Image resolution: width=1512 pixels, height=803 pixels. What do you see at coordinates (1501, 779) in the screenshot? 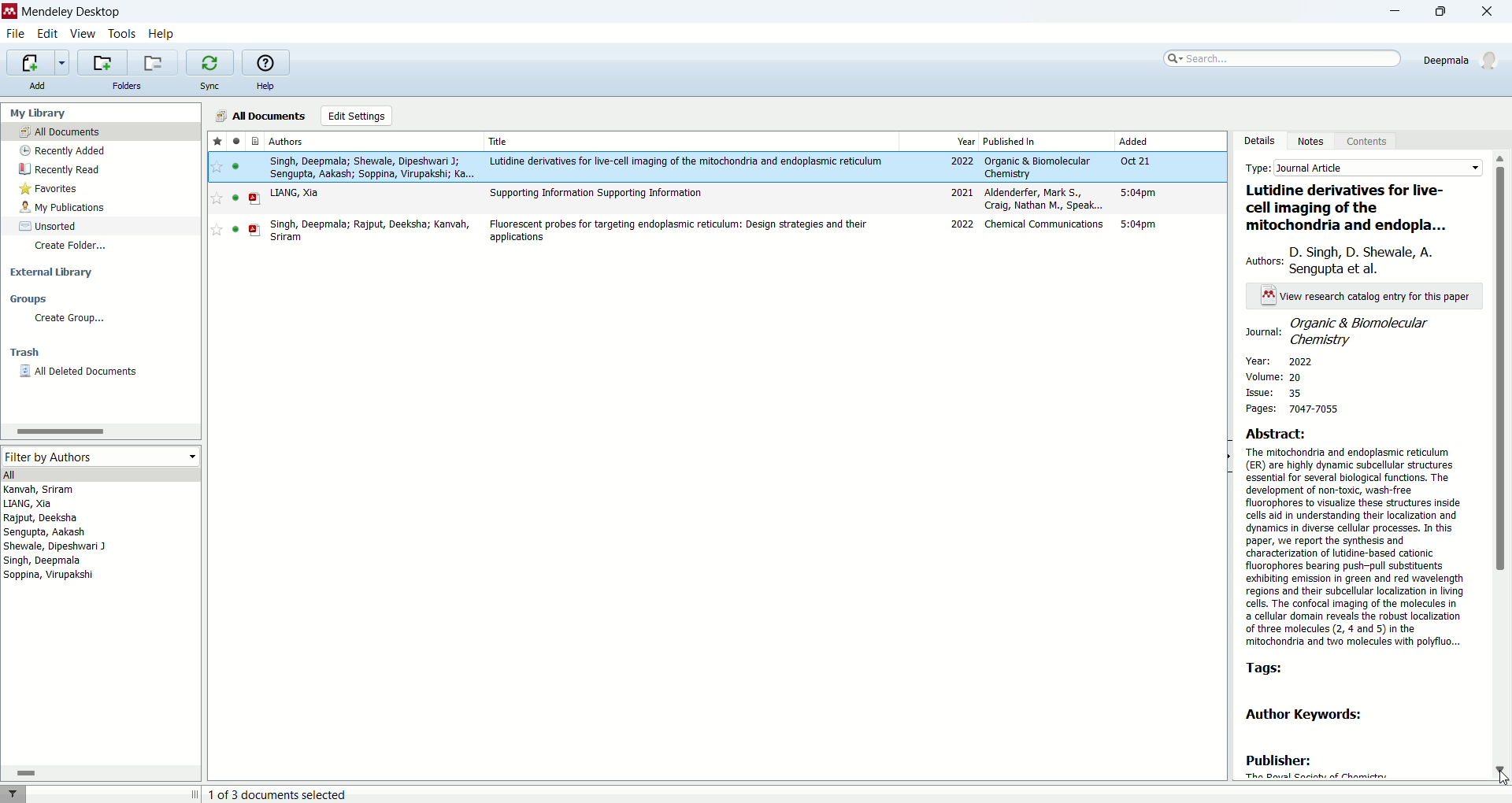
I see `cursor - keydown` at bounding box center [1501, 779].